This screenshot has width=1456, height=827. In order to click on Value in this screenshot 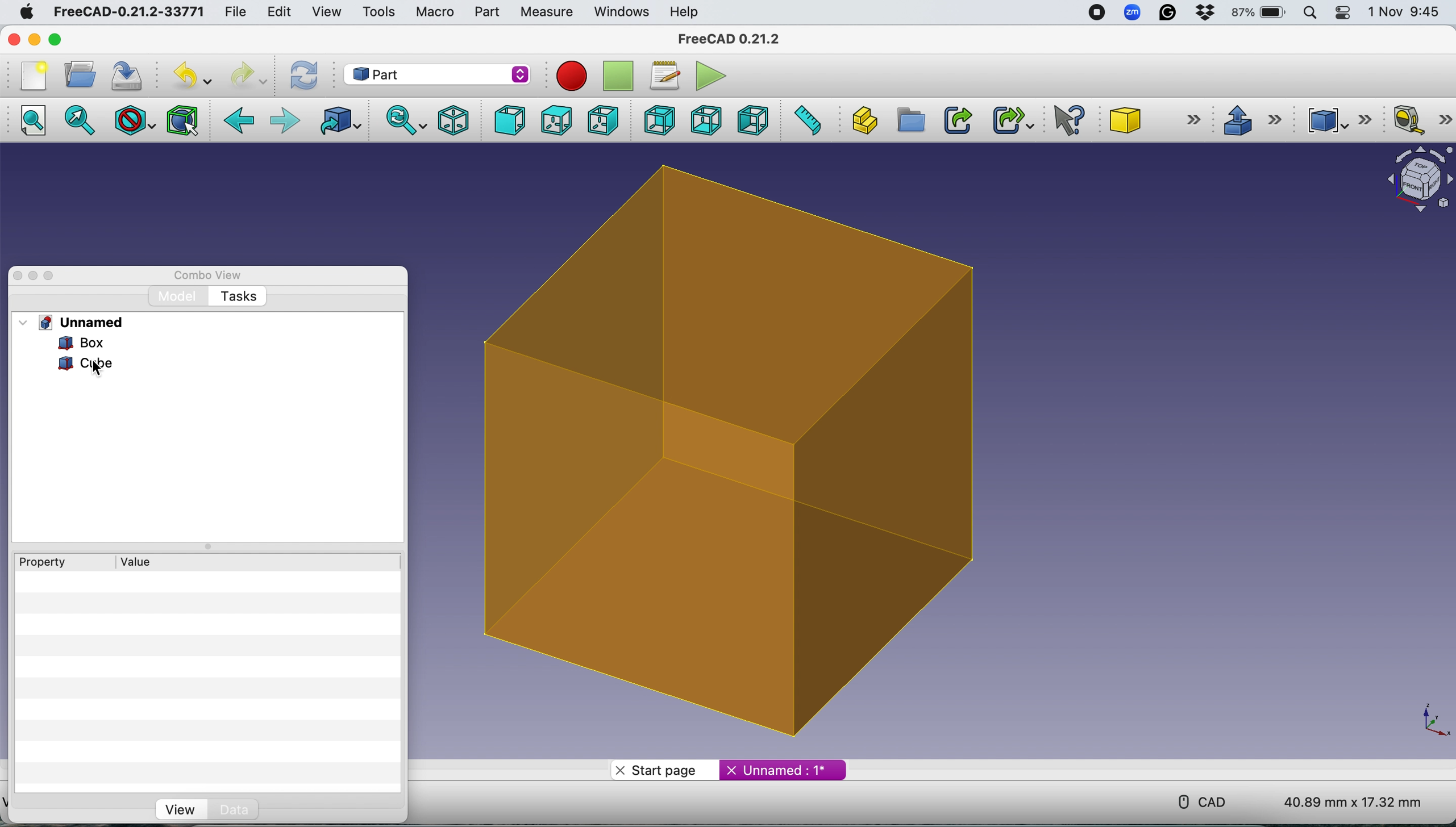, I will do `click(140, 561)`.